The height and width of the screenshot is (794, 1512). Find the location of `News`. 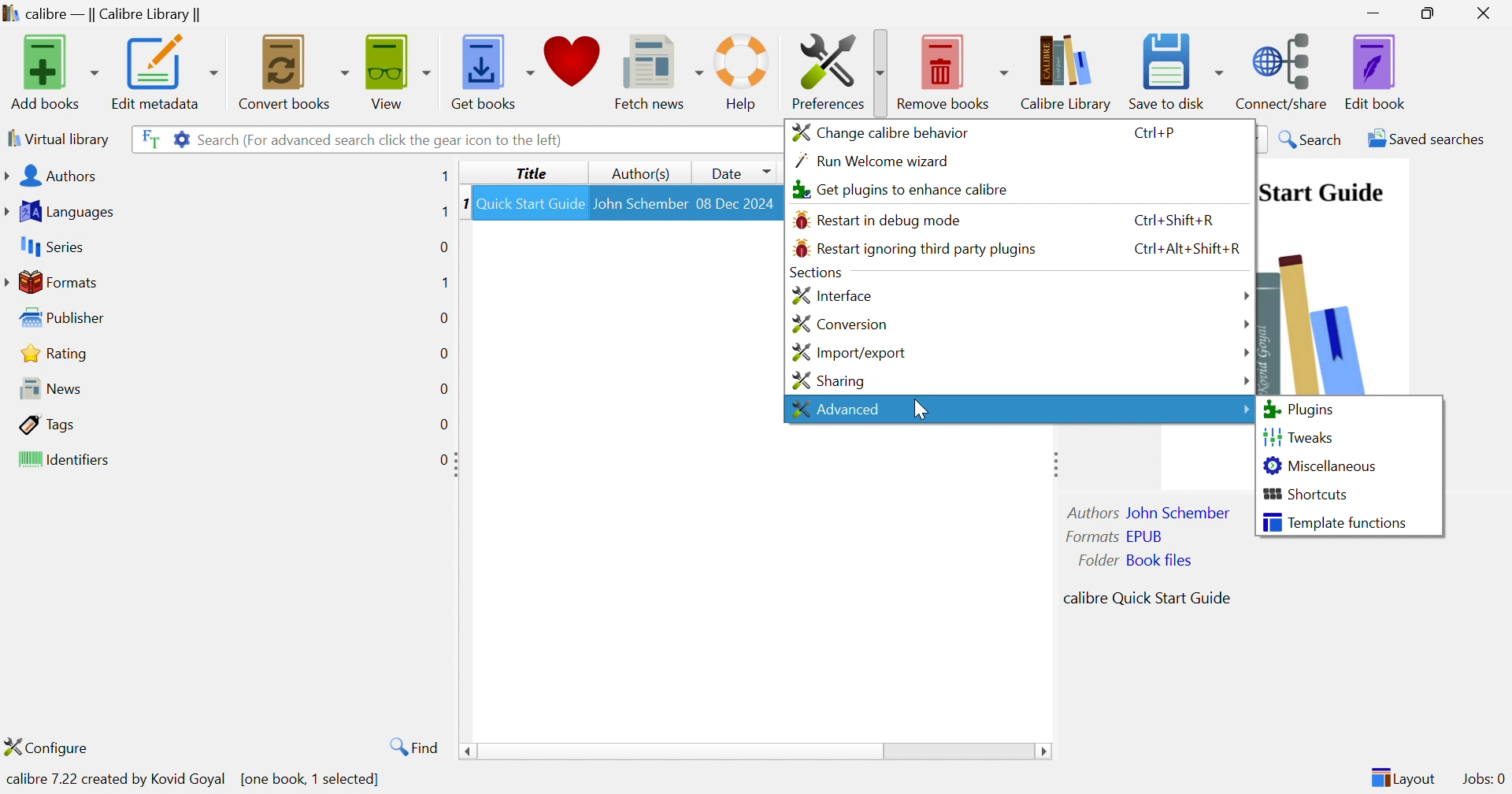

News is located at coordinates (46, 388).